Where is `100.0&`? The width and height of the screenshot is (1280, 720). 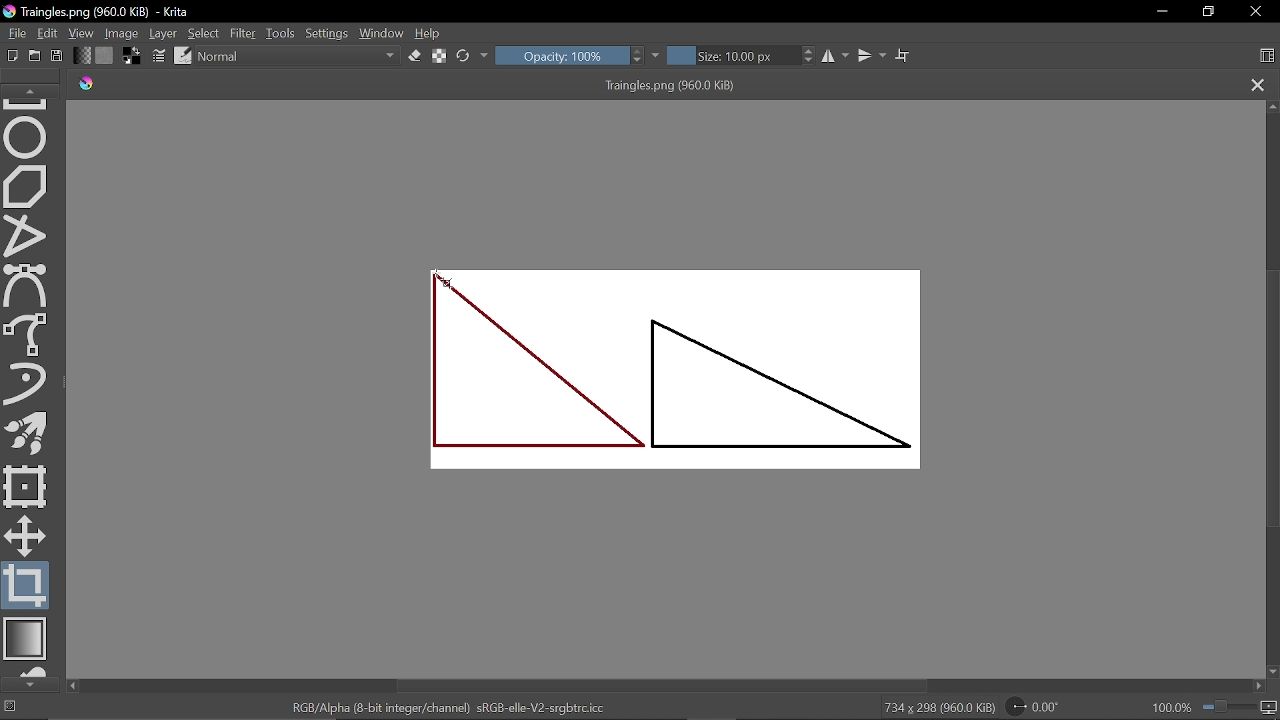 100.0& is located at coordinates (1216, 705).